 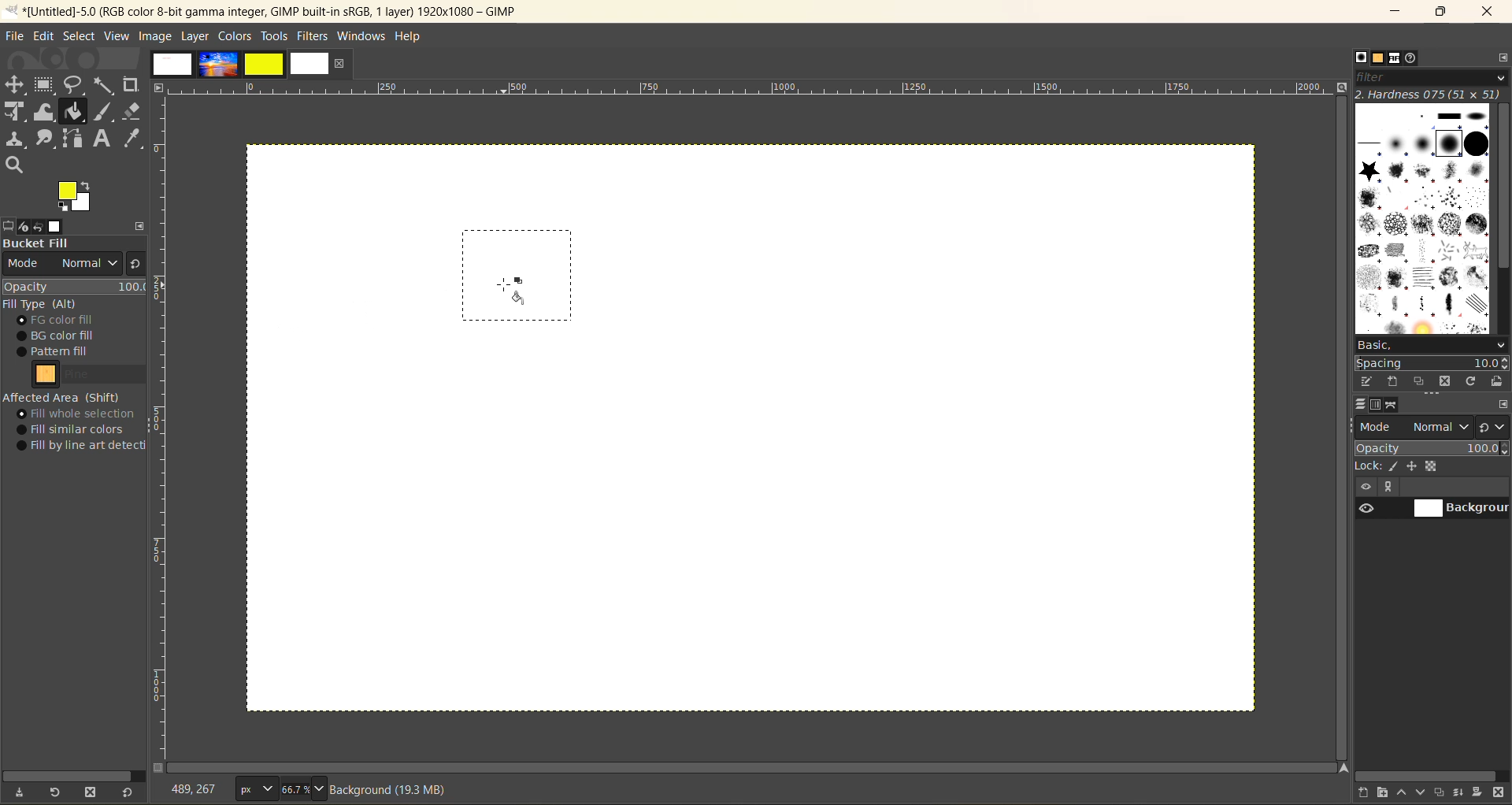 What do you see at coordinates (1413, 59) in the screenshot?
I see `document history` at bounding box center [1413, 59].